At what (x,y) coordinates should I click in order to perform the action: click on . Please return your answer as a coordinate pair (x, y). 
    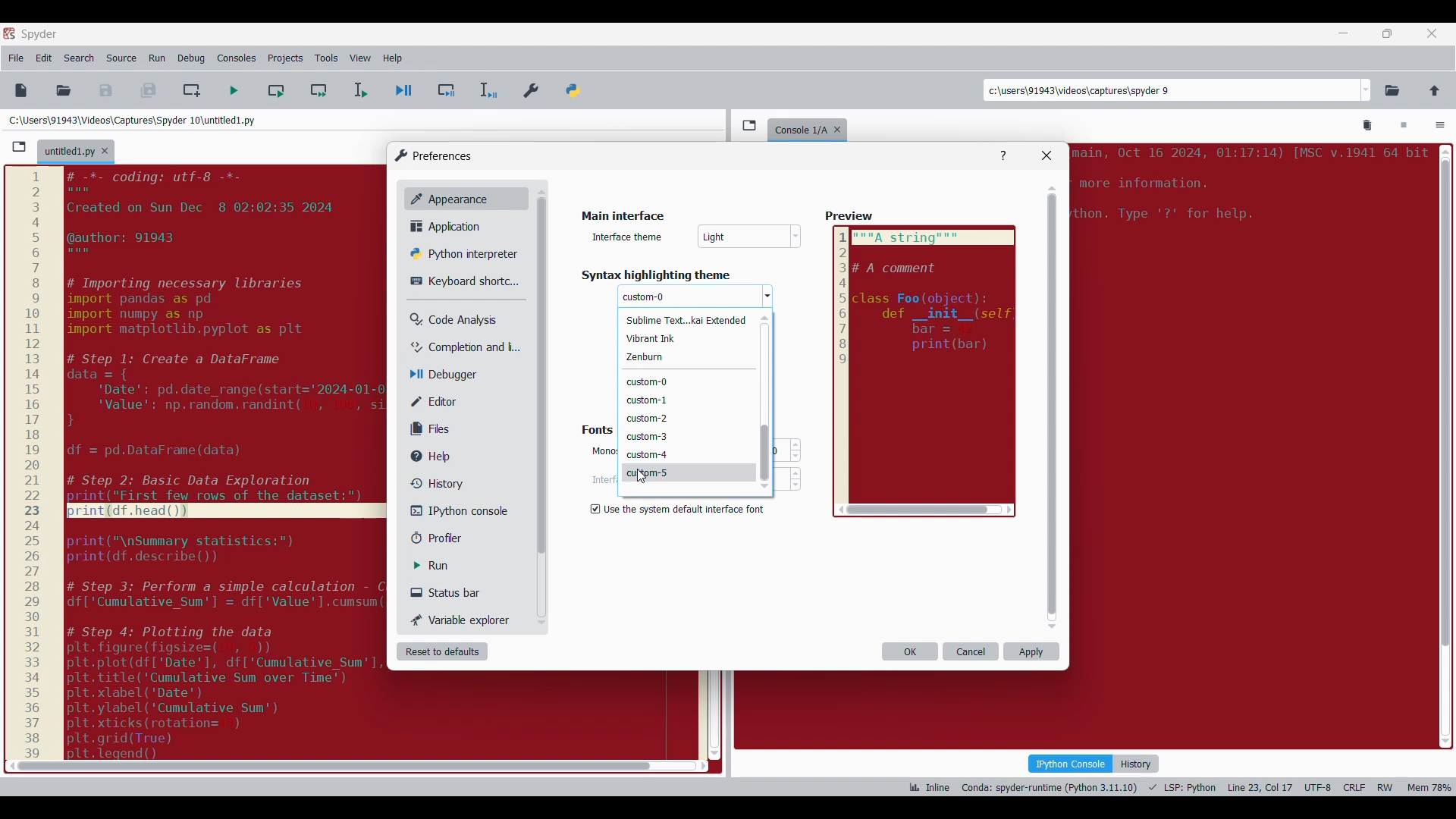
    Looking at the image, I should click on (1247, 190).